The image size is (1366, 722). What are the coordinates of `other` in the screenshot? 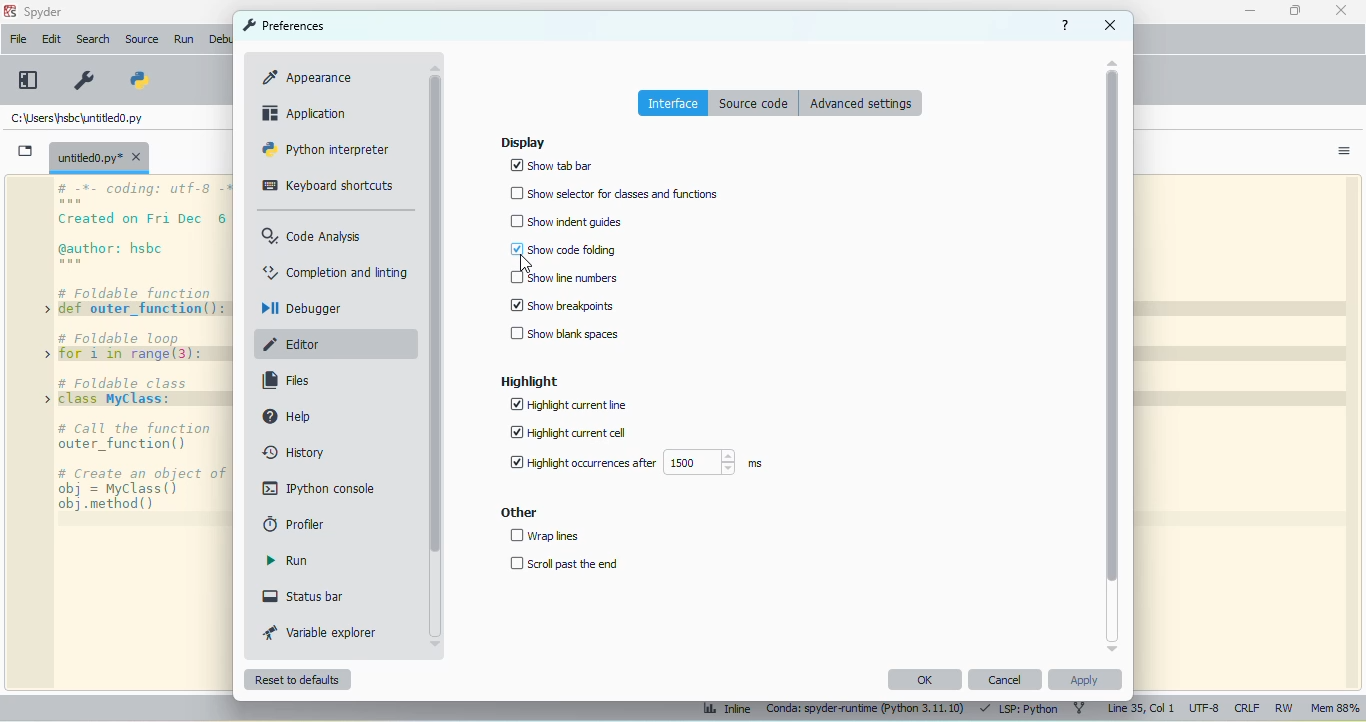 It's located at (517, 512).